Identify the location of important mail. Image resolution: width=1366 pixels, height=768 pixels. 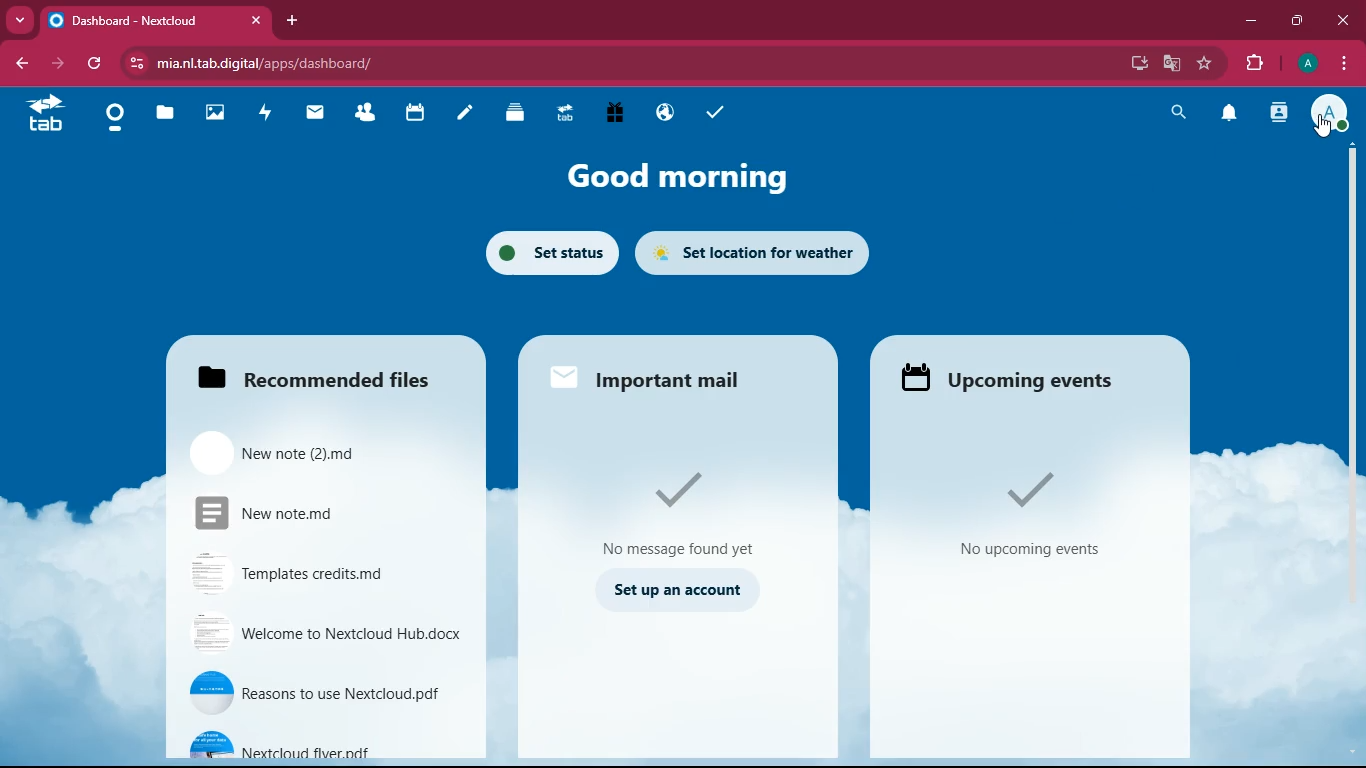
(655, 374).